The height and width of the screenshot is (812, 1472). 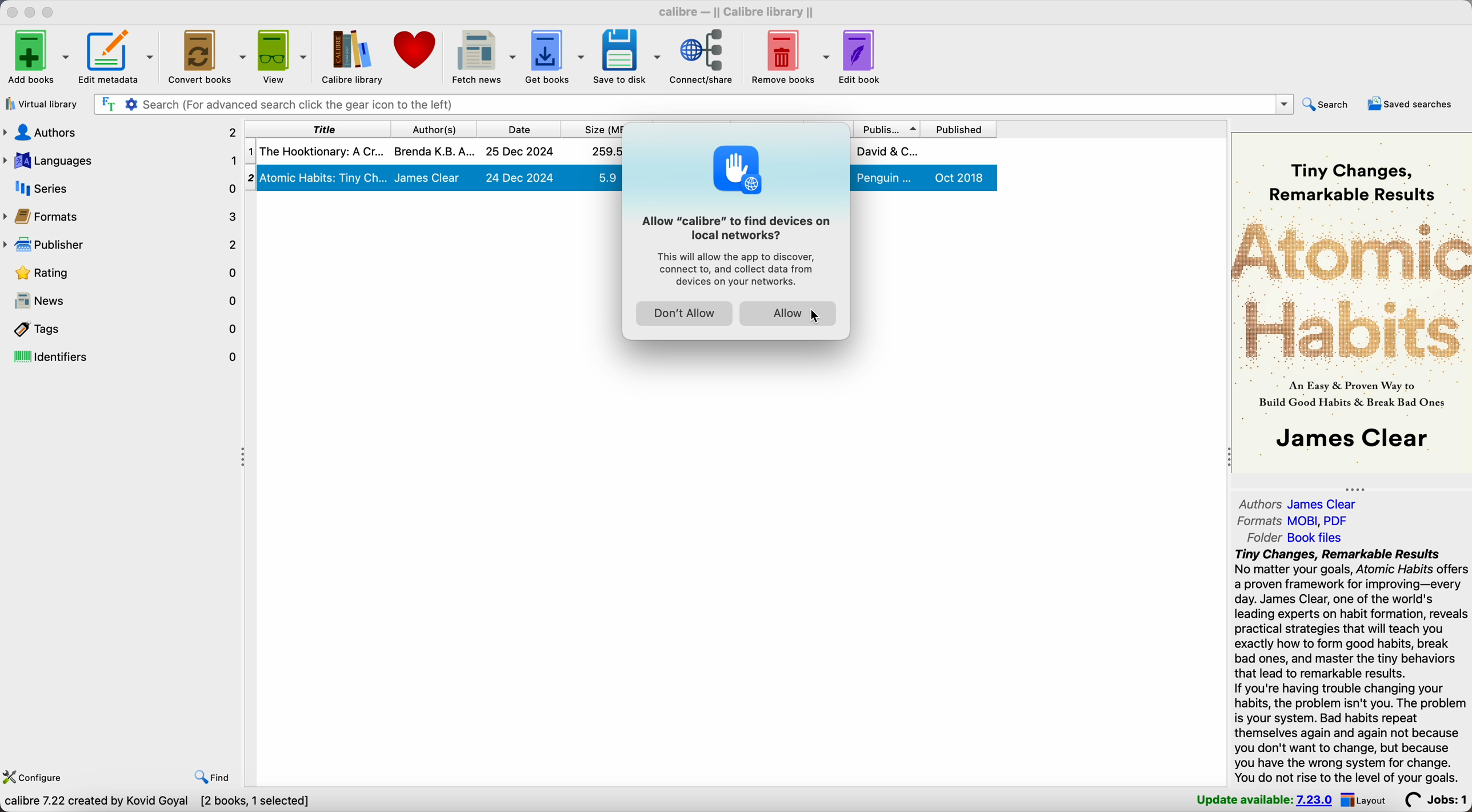 What do you see at coordinates (627, 58) in the screenshot?
I see `save to disk` at bounding box center [627, 58].